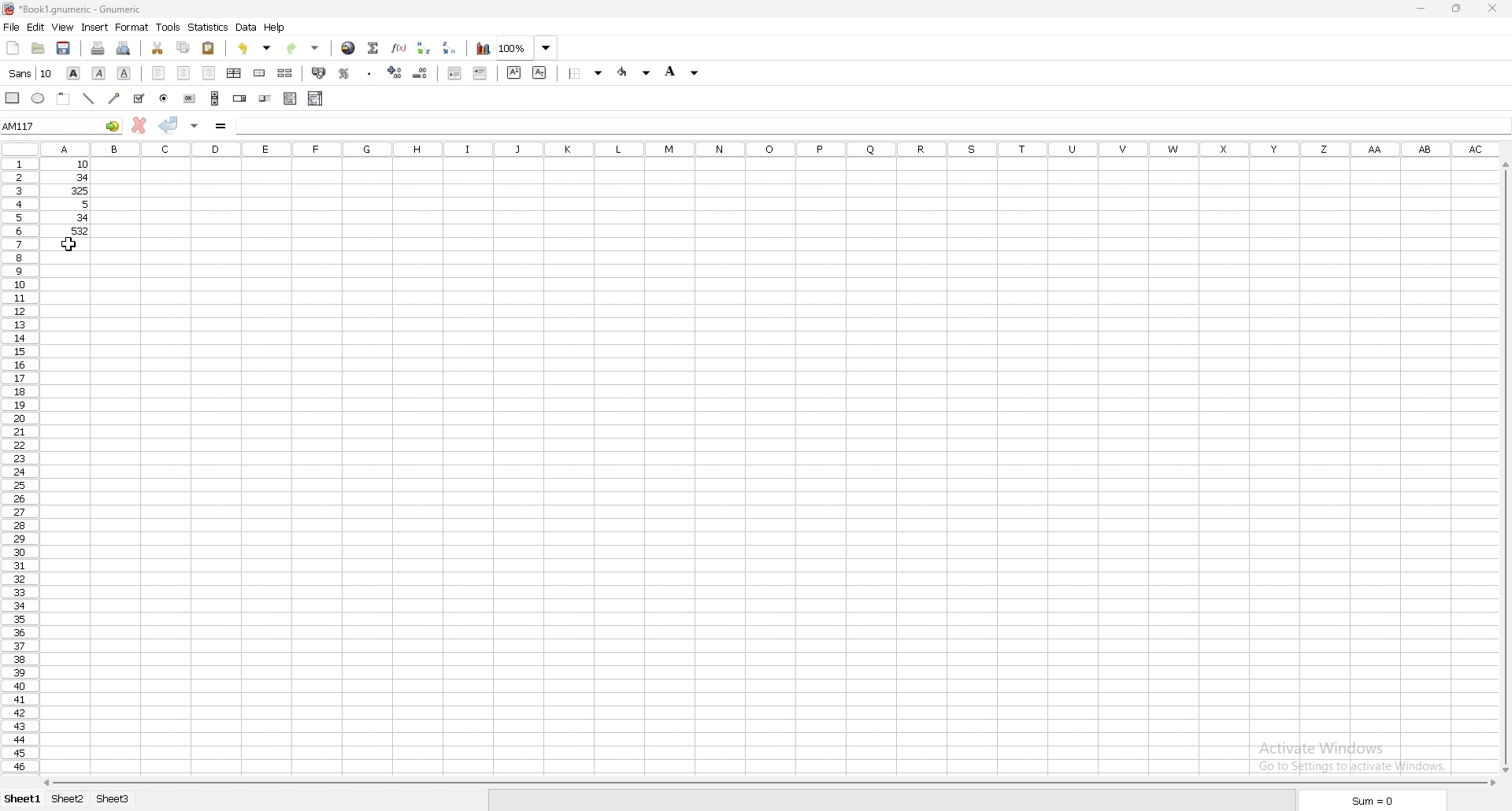 This screenshot has height=811, width=1512. Describe the element at coordinates (256, 48) in the screenshot. I see `undo` at that location.